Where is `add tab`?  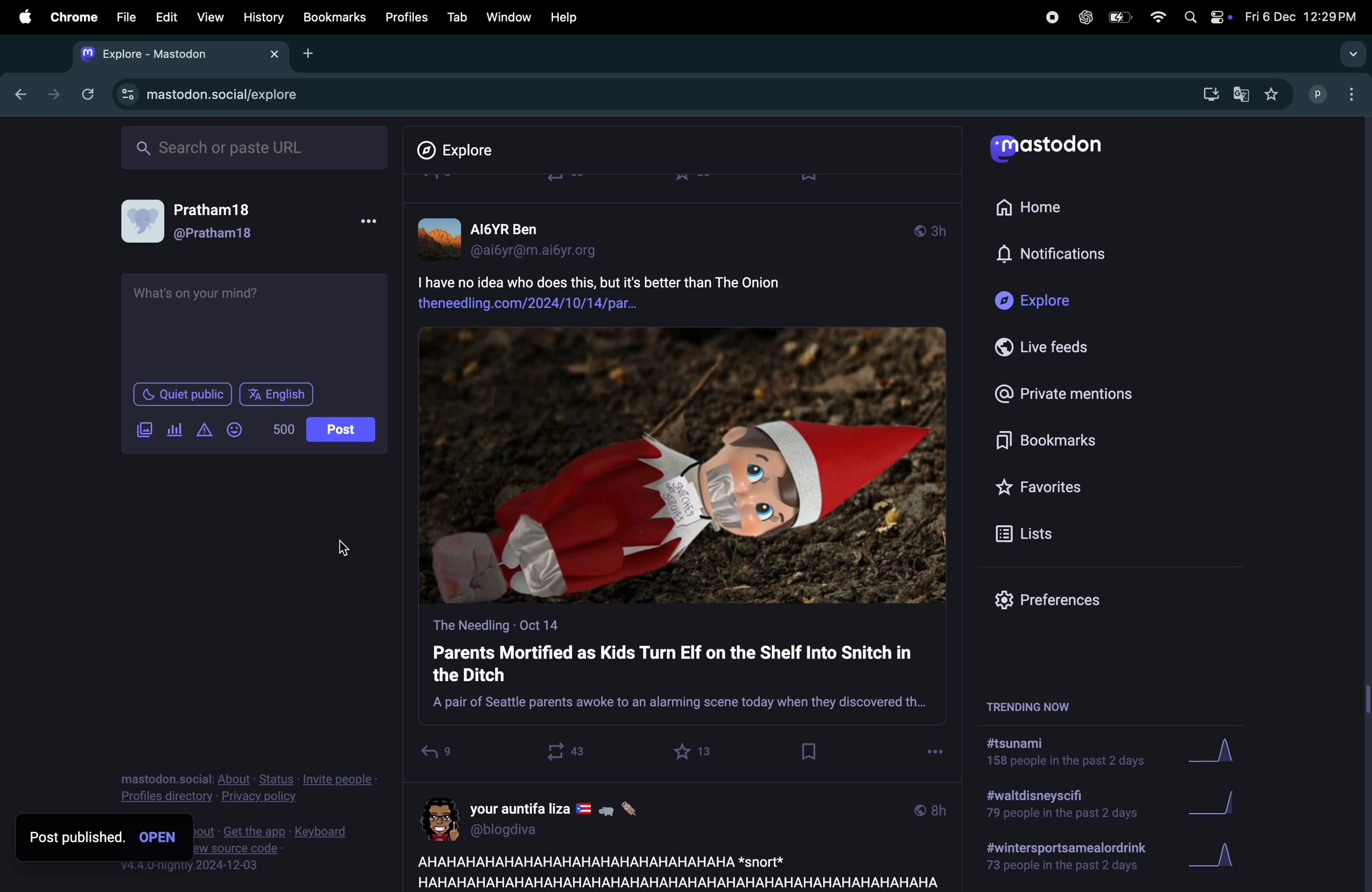 add tab is located at coordinates (310, 52).